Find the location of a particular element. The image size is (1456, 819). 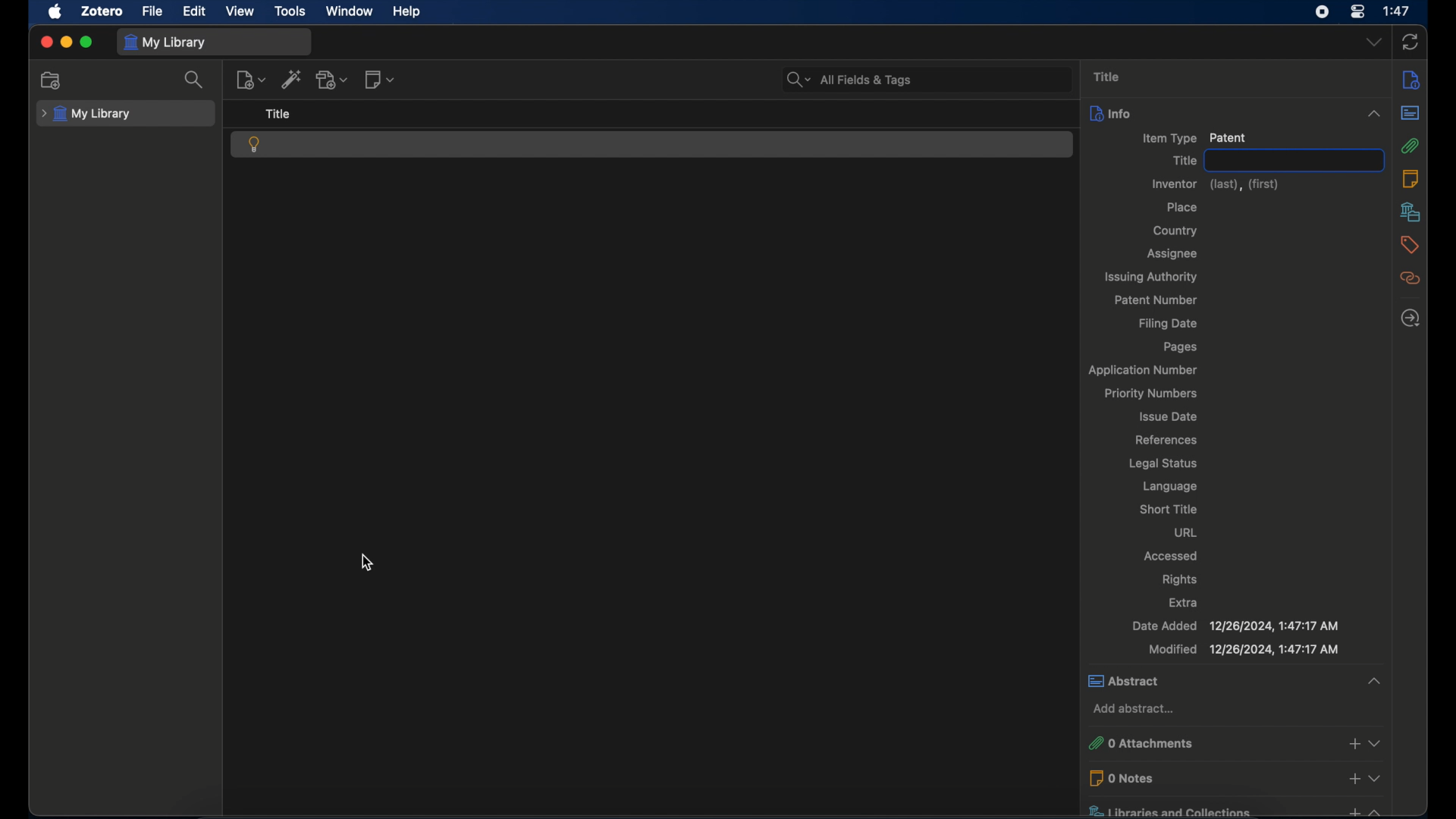

filing date is located at coordinates (1169, 325).